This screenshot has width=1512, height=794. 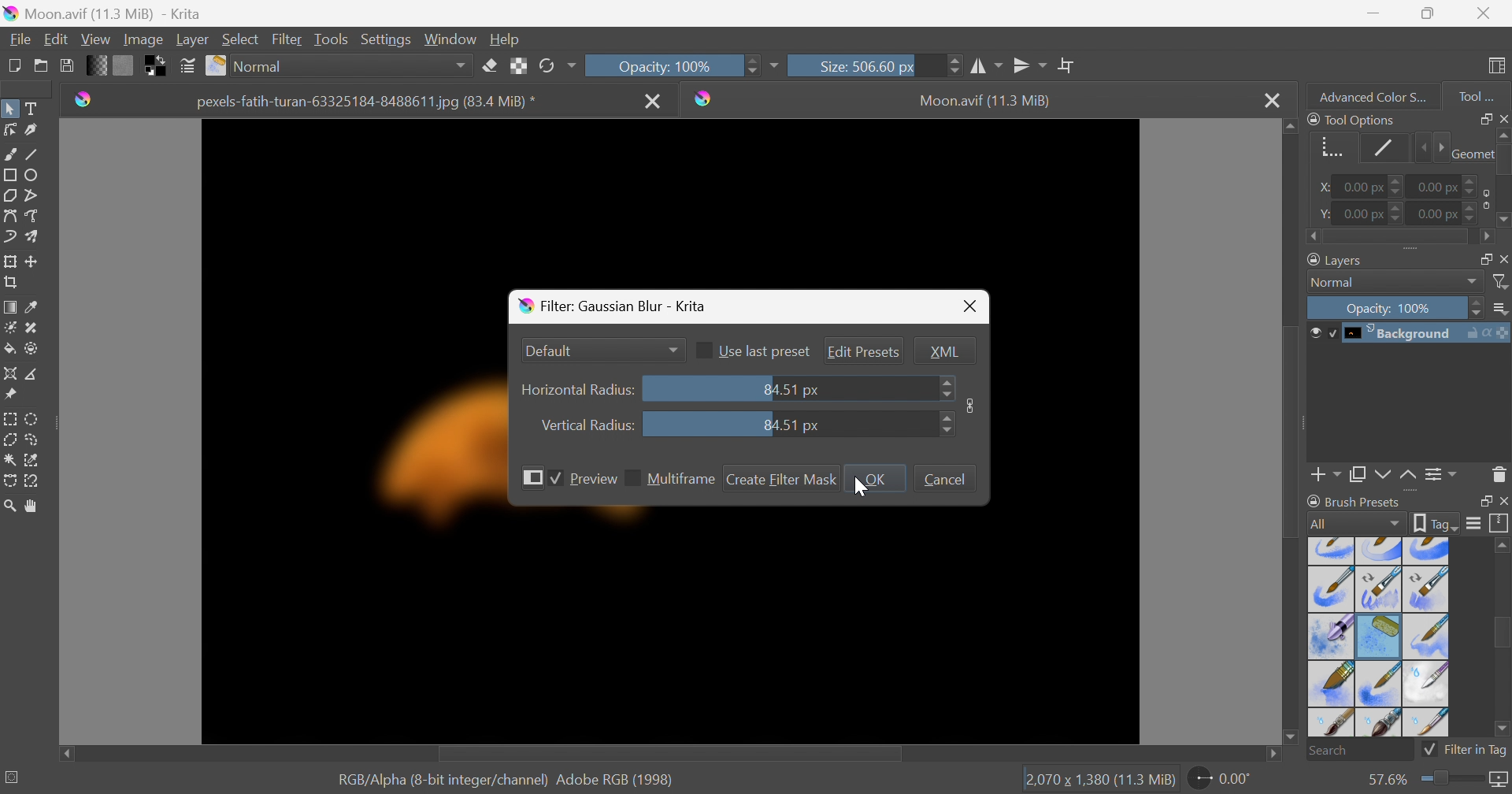 I want to click on All, so click(x=1354, y=525).